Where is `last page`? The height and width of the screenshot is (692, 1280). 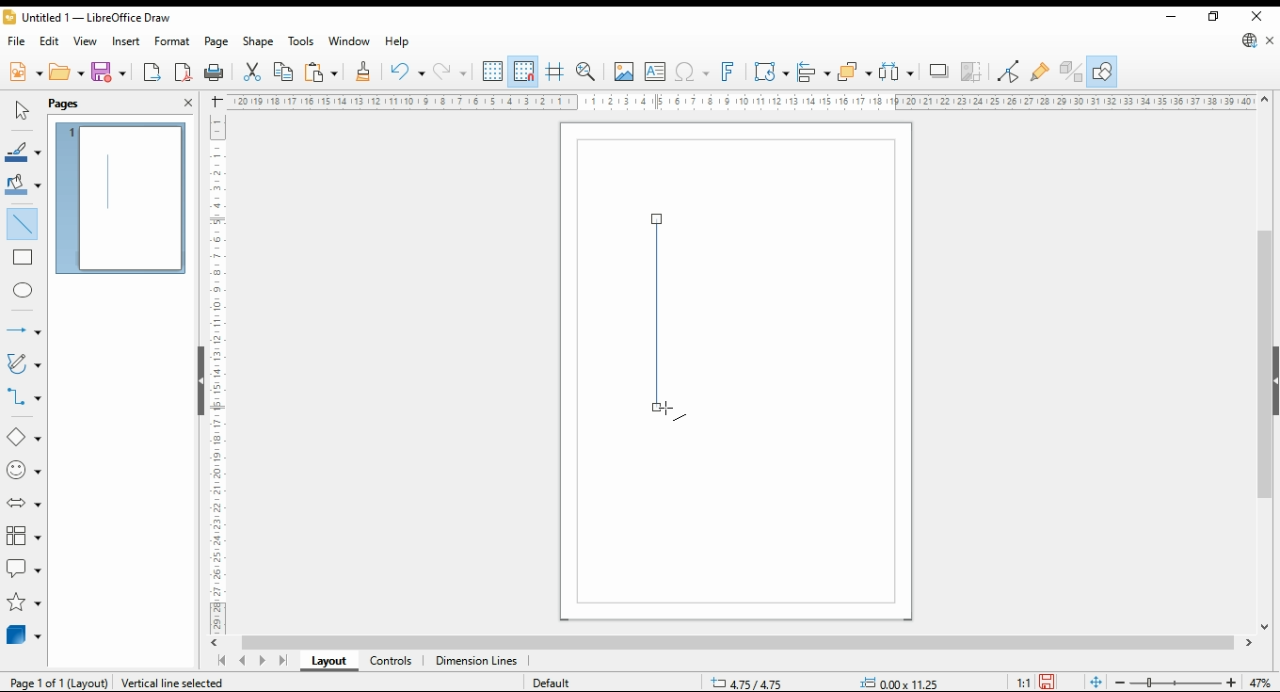
last page is located at coordinates (284, 662).